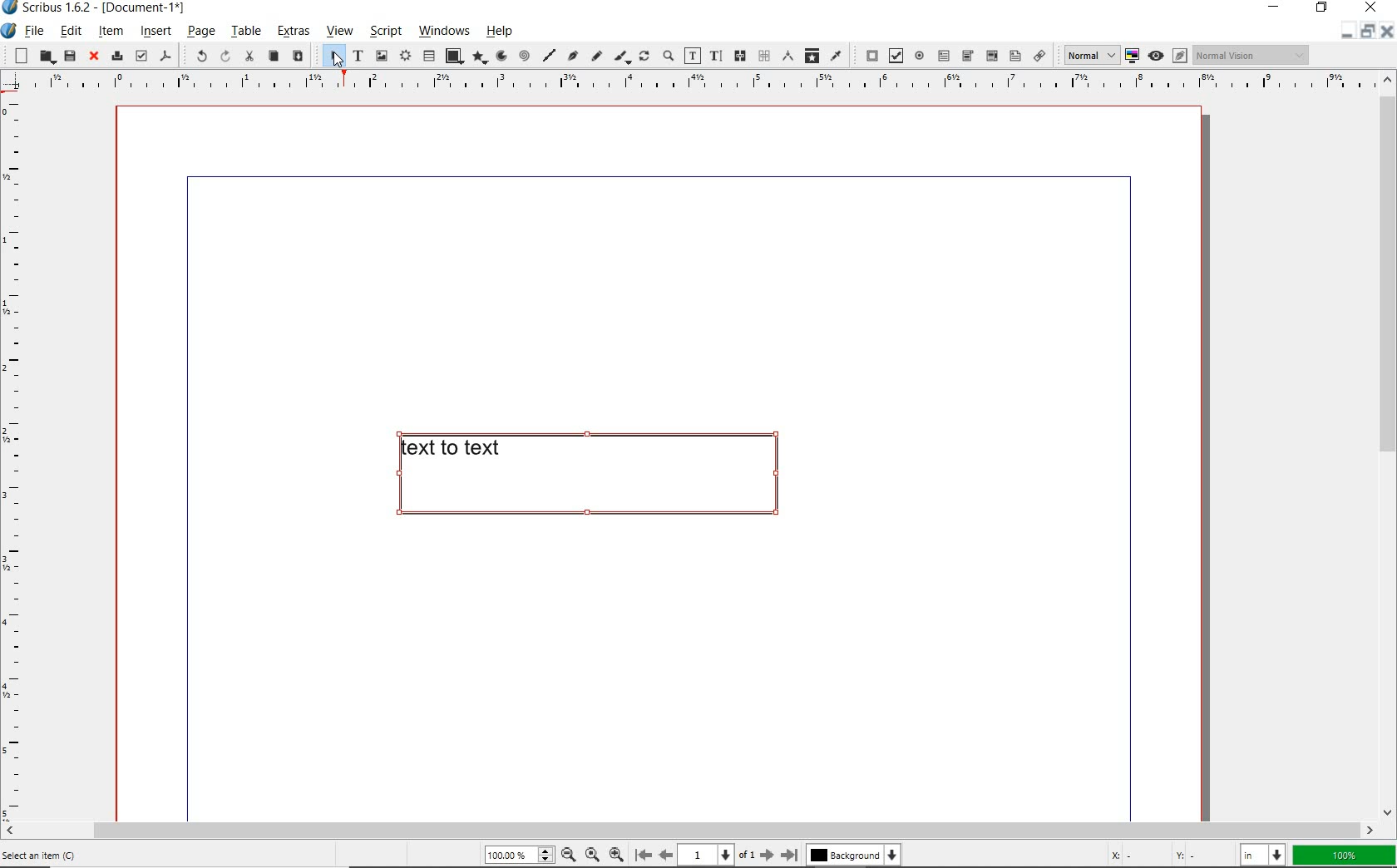 This screenshot has height=868, width=1397. What do you see at coordinates (868, 56) in the screenshot?
I see `pdf push button` at bounding box center [868, 56].